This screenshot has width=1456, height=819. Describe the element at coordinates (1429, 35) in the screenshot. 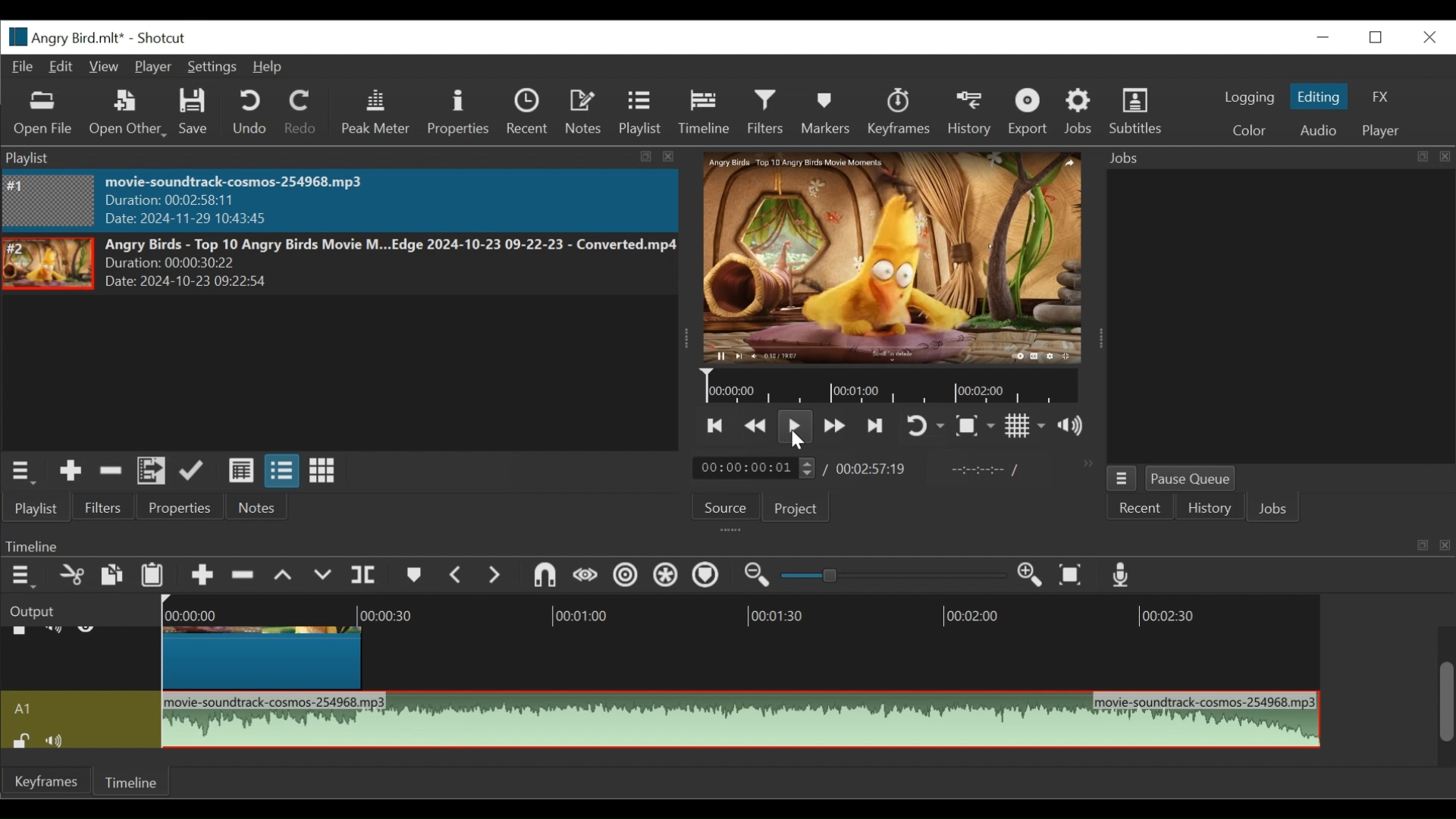

I see `Close` at that location.